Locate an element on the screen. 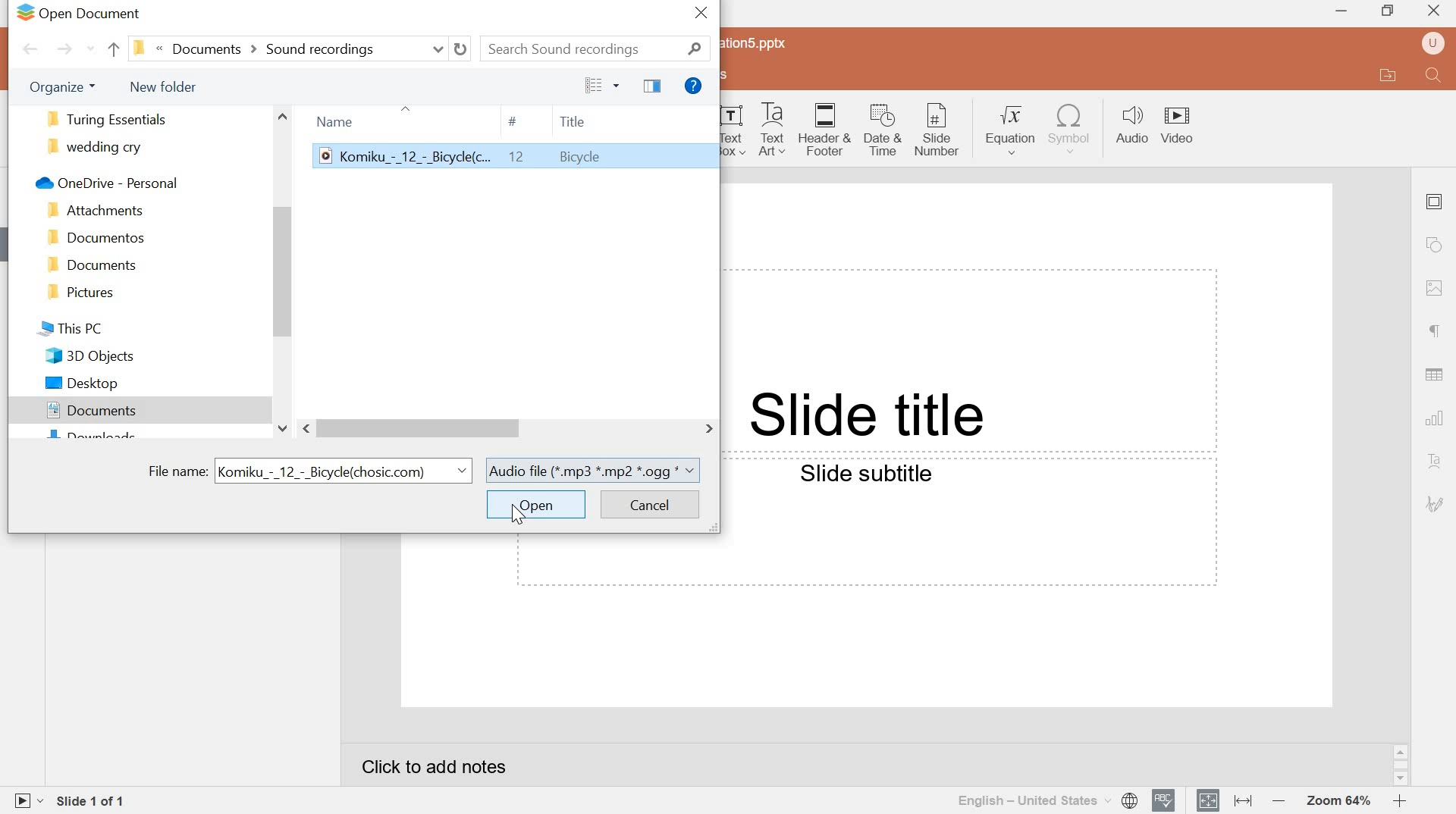  Date & Time is located at coordinates (884, 131).